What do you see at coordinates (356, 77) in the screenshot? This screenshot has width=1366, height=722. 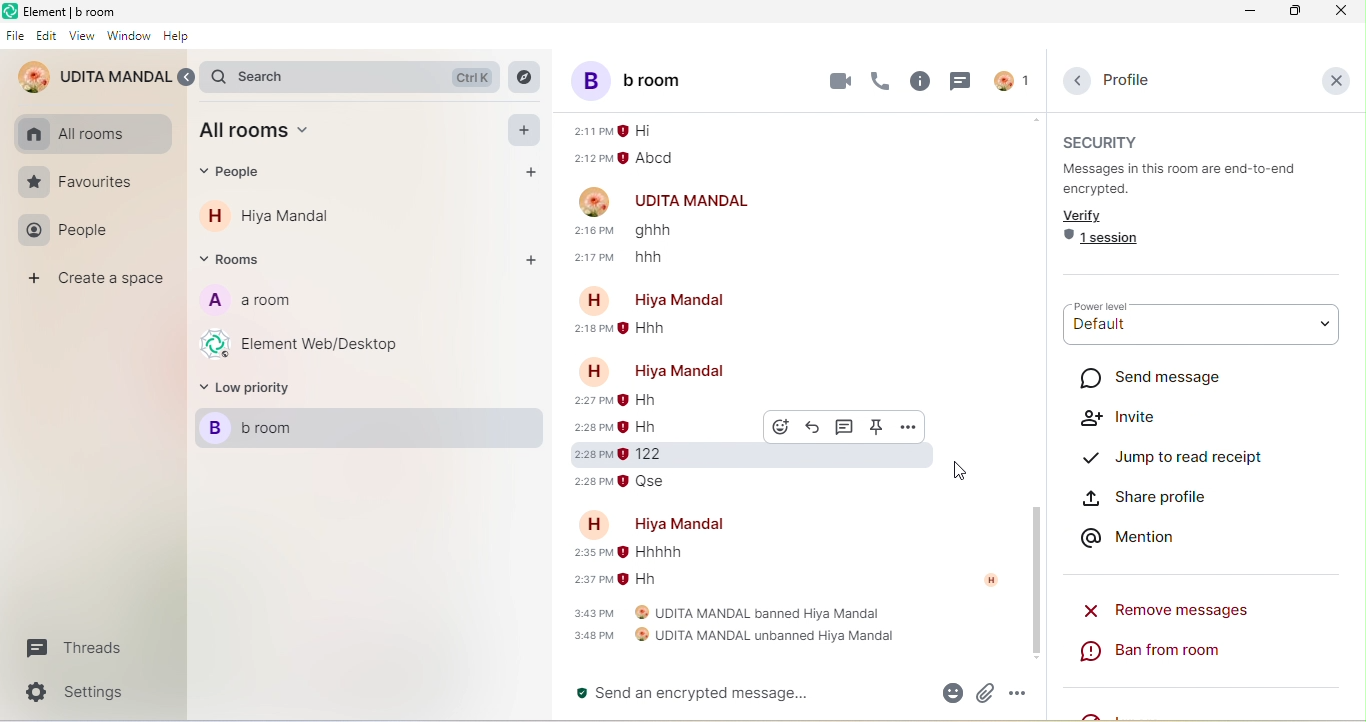 I see `search` at bounding box center [356, 77].